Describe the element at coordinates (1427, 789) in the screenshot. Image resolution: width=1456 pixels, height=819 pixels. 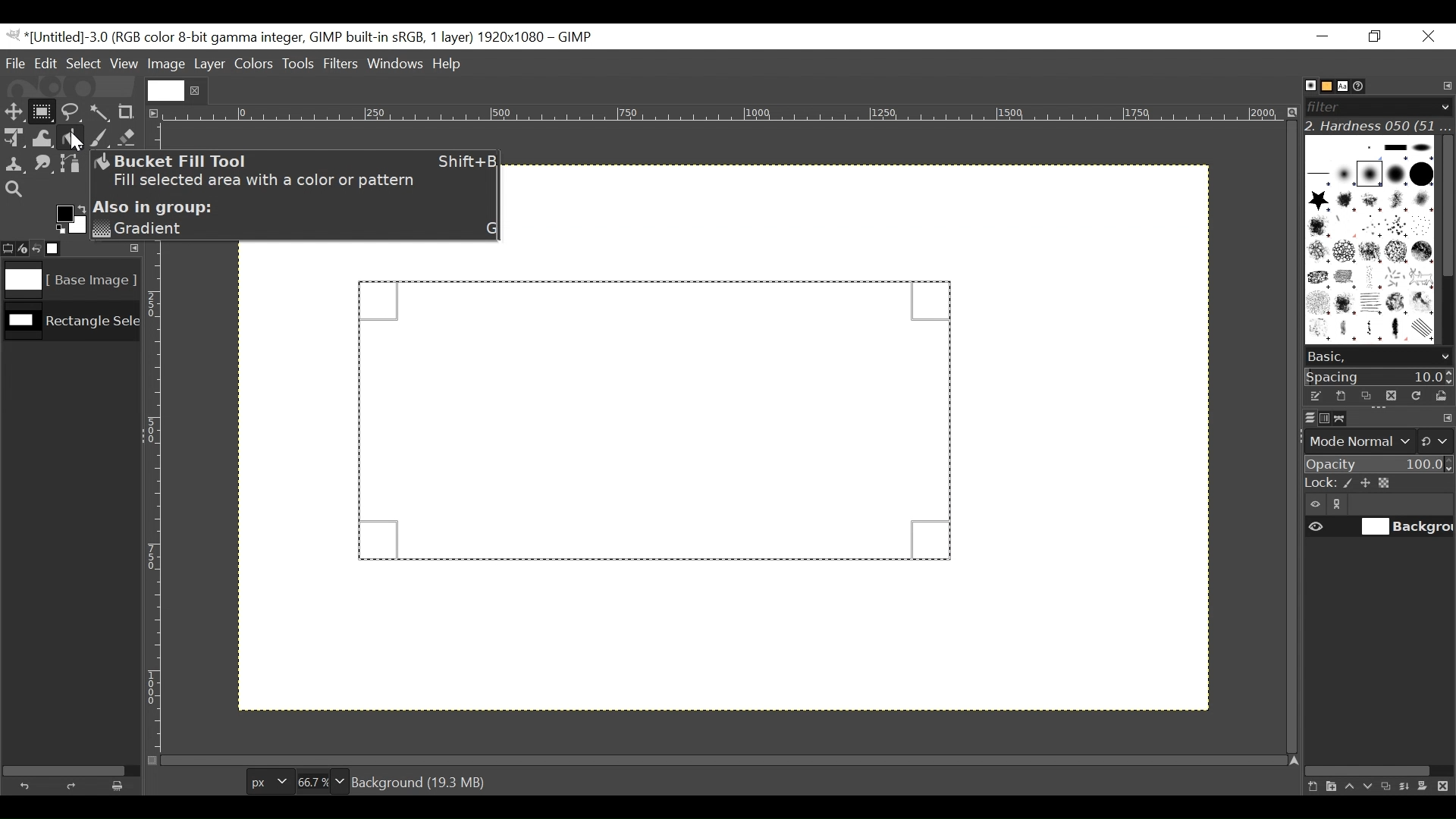
I see `Add a mask` at that location.